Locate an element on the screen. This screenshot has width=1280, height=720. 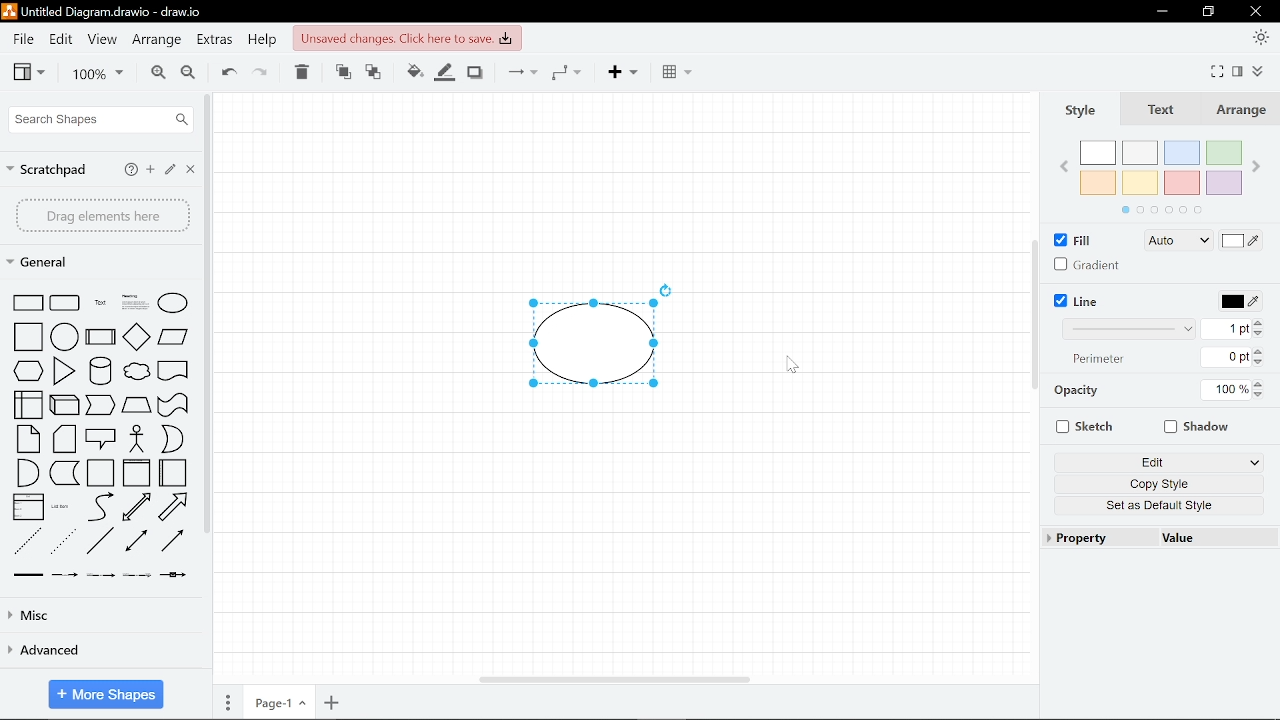
Current line width is located at coordinates (1231, 328).